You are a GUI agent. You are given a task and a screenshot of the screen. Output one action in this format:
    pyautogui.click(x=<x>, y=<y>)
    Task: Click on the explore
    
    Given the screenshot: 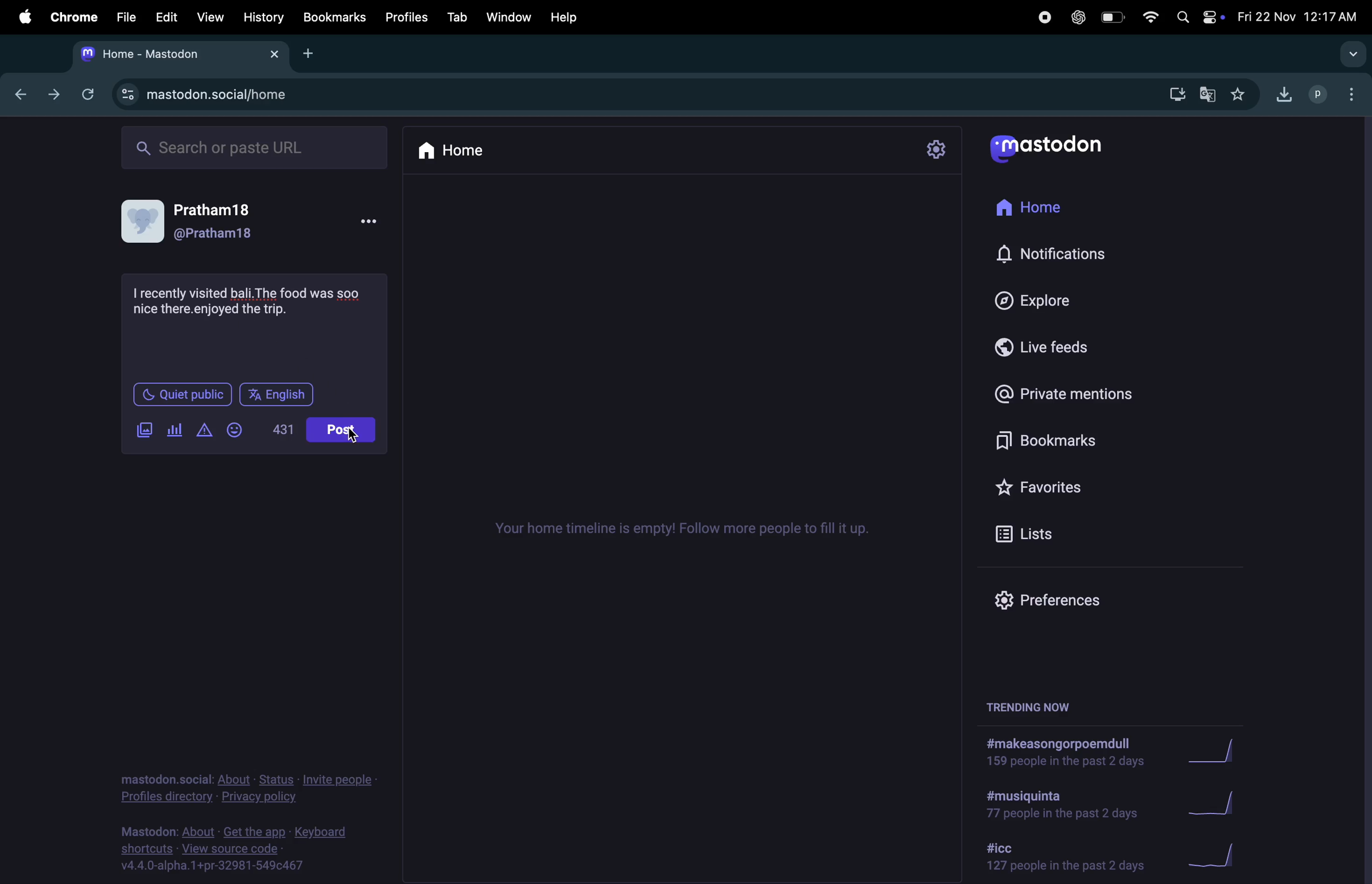 What is the action you would take?
    pyautogui.click(x=1030, y=298)
    